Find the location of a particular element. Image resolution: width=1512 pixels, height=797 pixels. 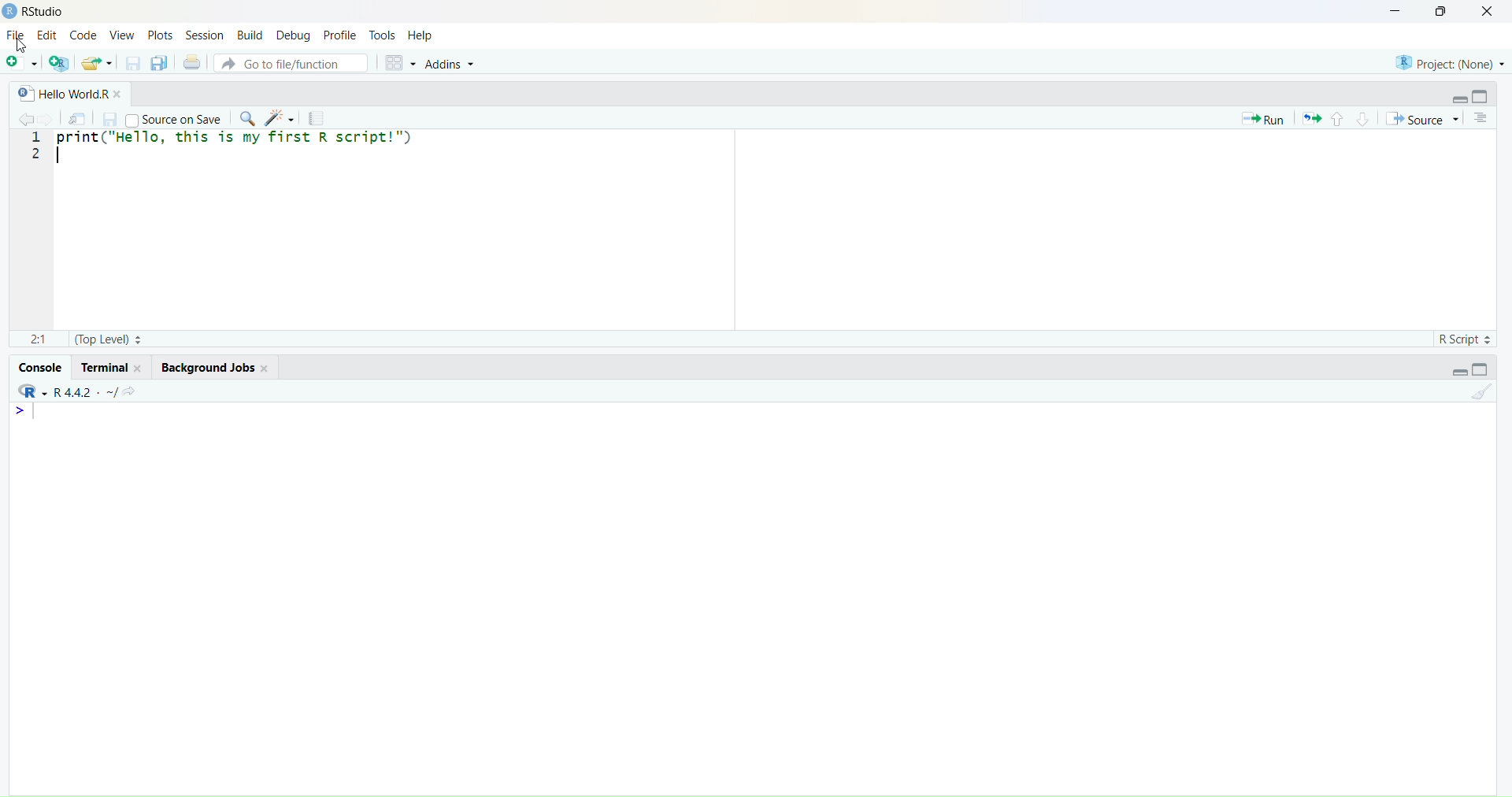

Run the current line or selection (Ctrl + Enter) is located at coordinates (1262, 118).